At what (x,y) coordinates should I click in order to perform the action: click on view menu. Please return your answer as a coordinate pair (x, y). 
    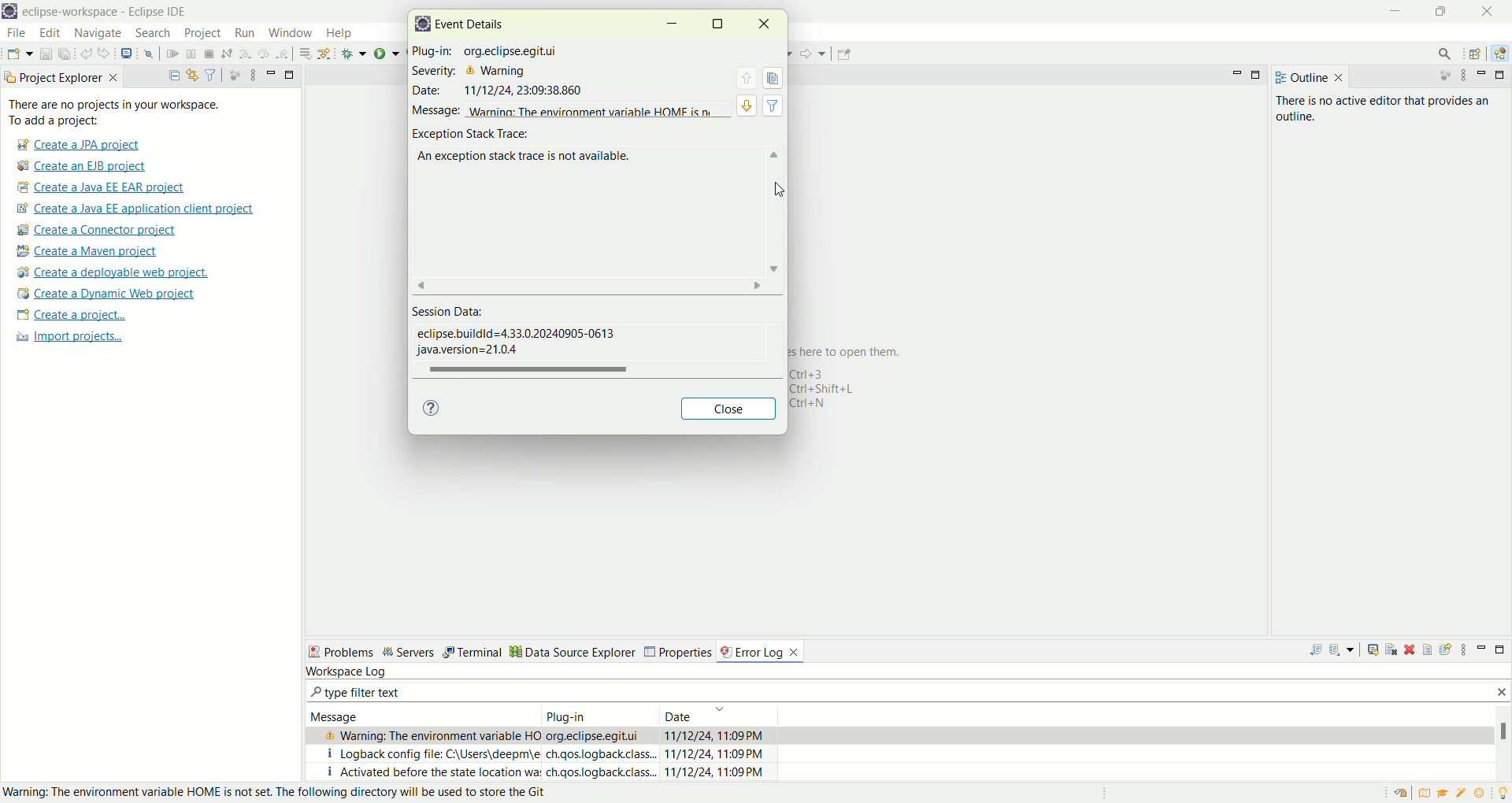
    Looking at the image, I should click on (1463, 76).